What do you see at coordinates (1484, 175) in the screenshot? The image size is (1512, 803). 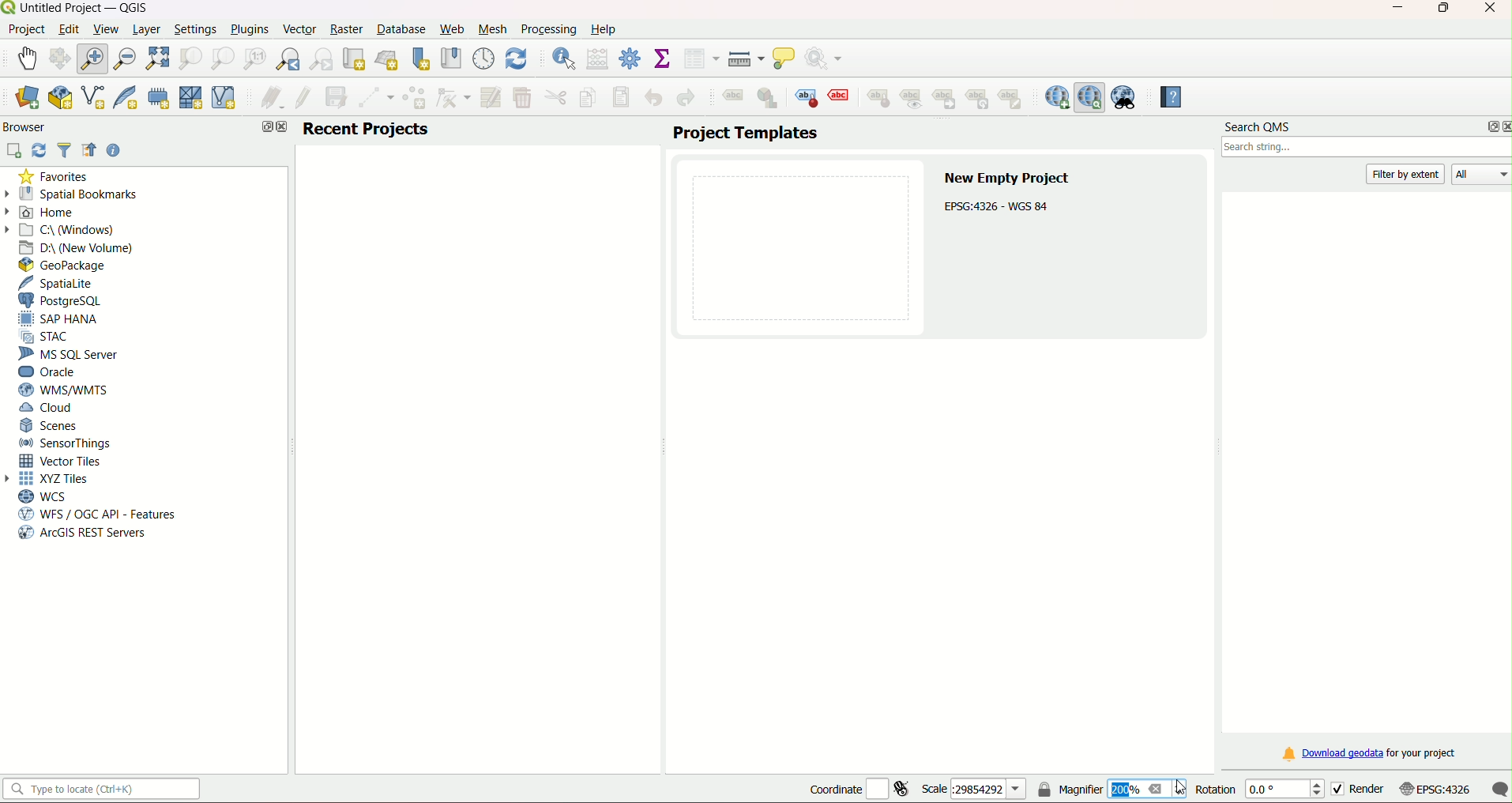 I see `All` at bounding box center [1484, 175].